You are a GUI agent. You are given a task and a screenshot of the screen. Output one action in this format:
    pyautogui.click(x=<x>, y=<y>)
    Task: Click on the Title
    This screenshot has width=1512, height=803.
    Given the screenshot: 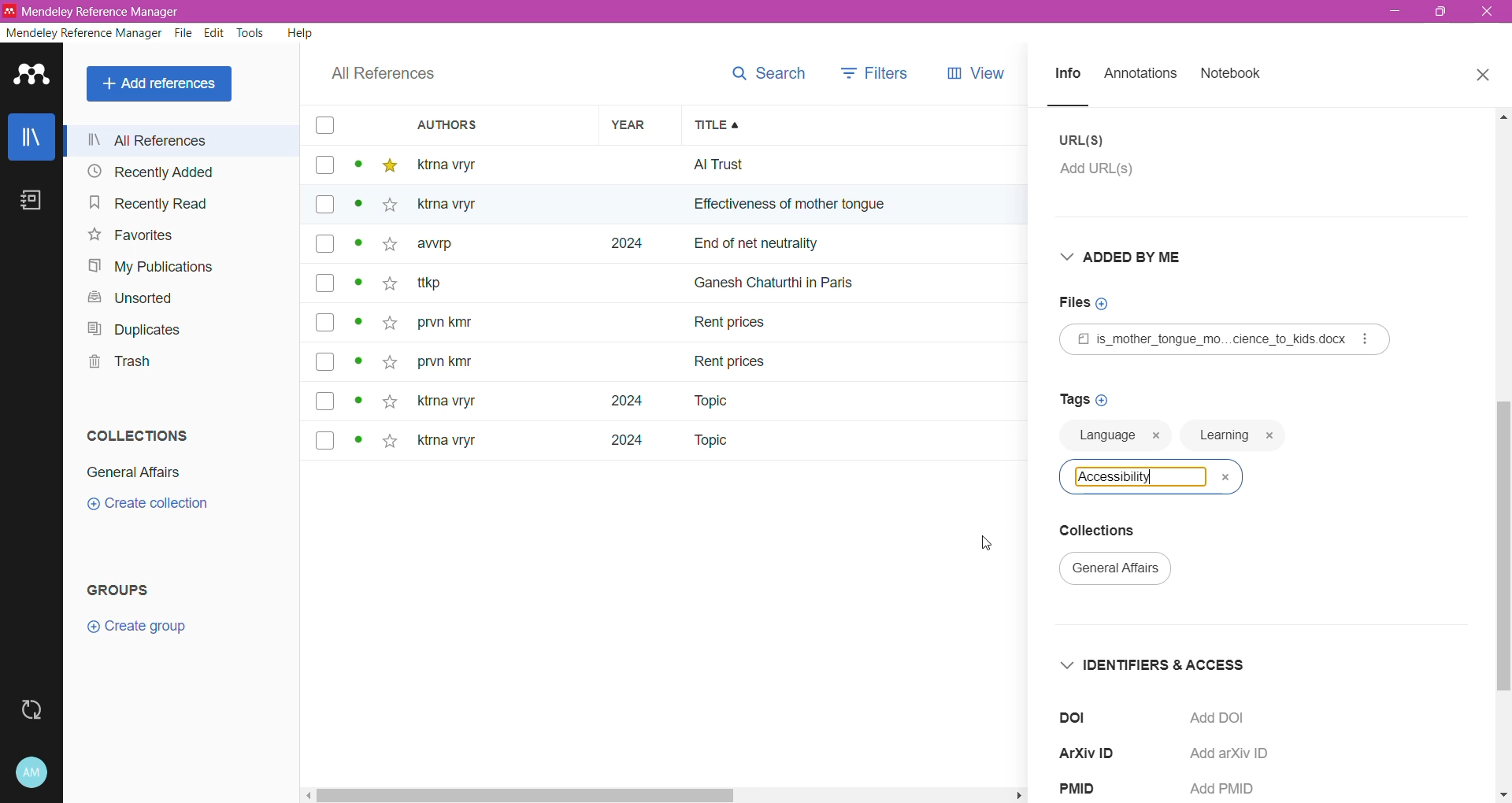 What is the action you would take?
    pyautogui.click(x=863, y=125)
    